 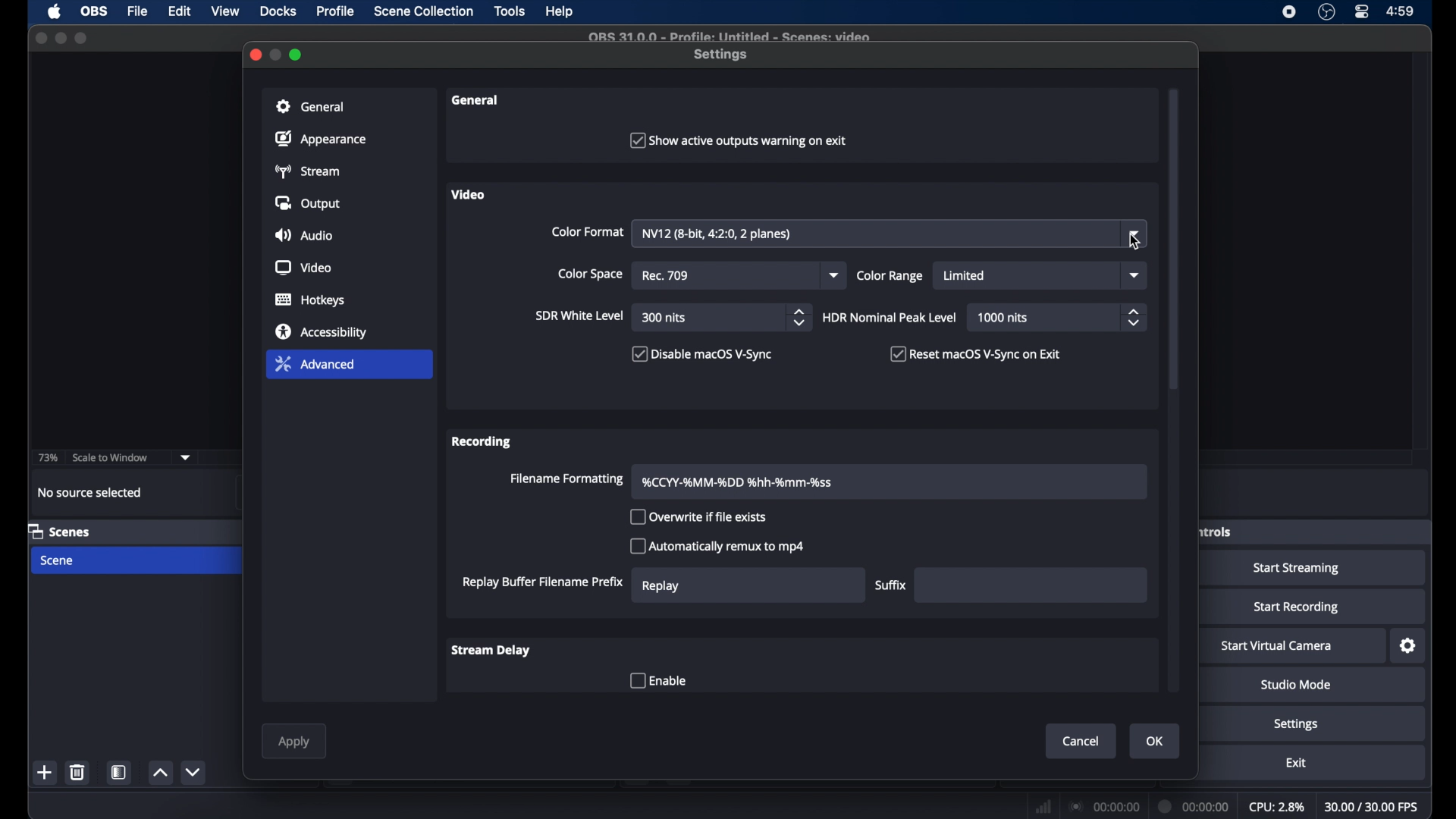 I want to click on 73%, so click(x=47, y=457).